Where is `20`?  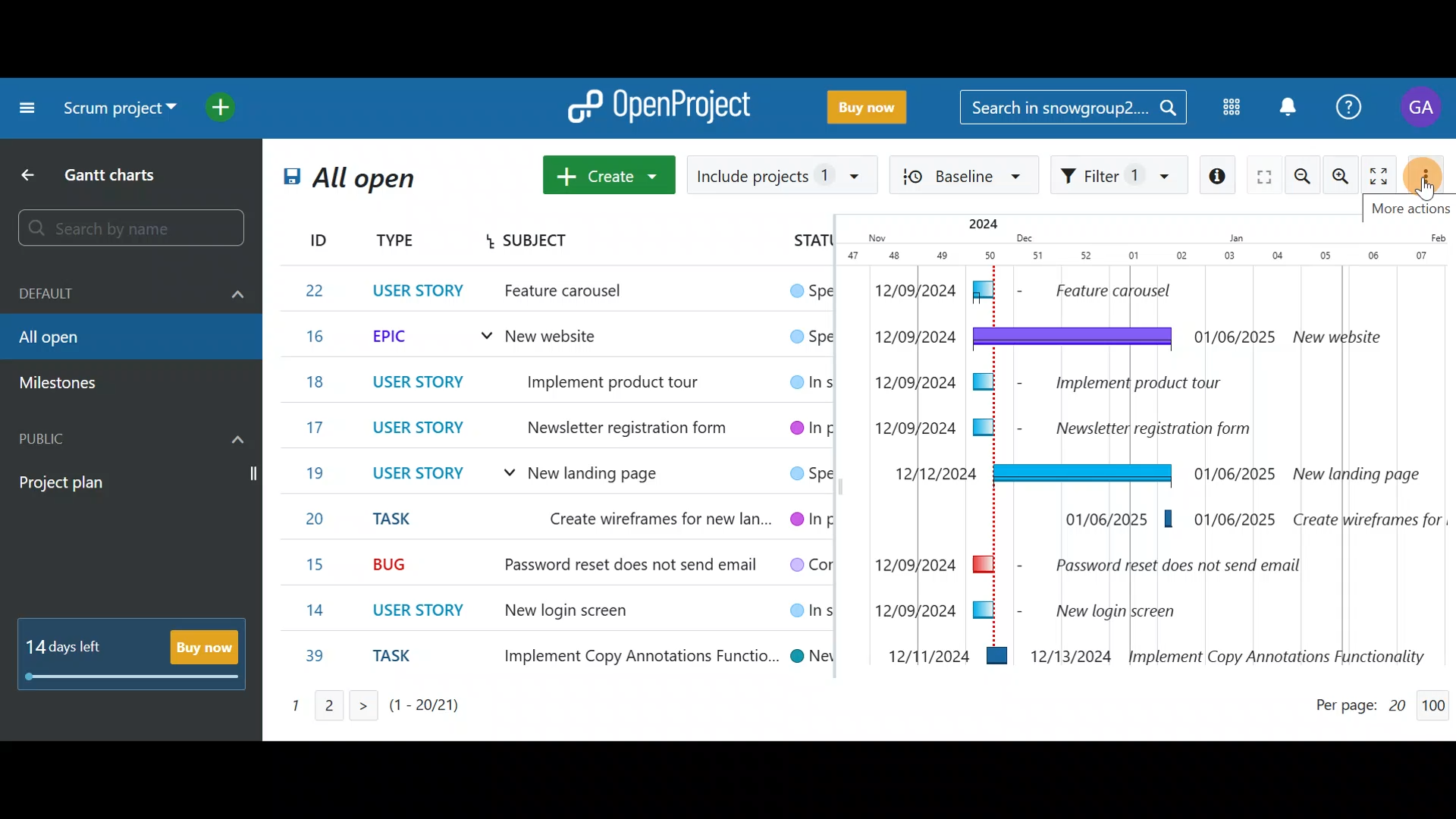
20 is located at coordinates (322, 519).